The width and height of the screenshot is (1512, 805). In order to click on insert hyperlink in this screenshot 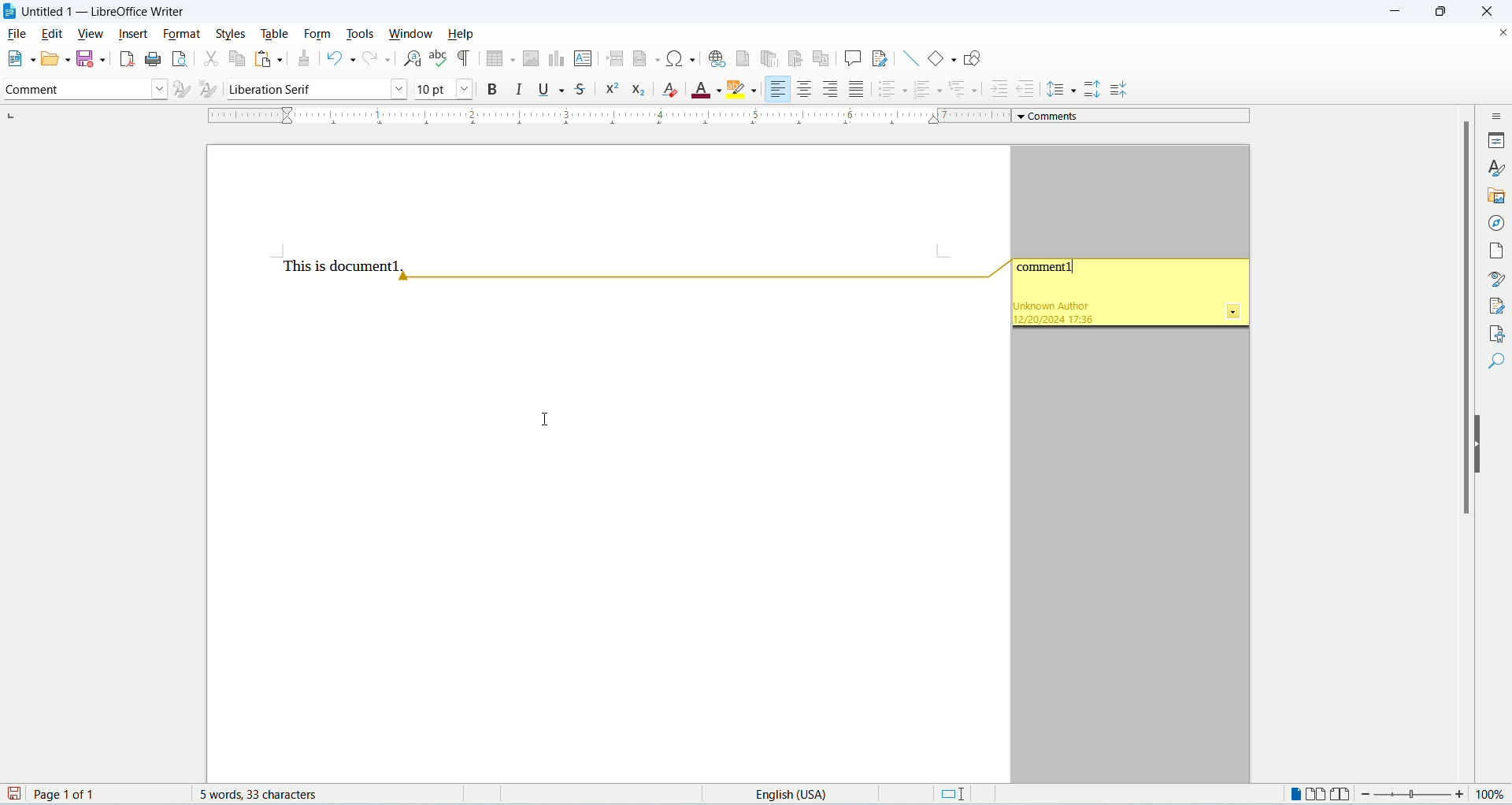, I will do `click(715, 58)`.